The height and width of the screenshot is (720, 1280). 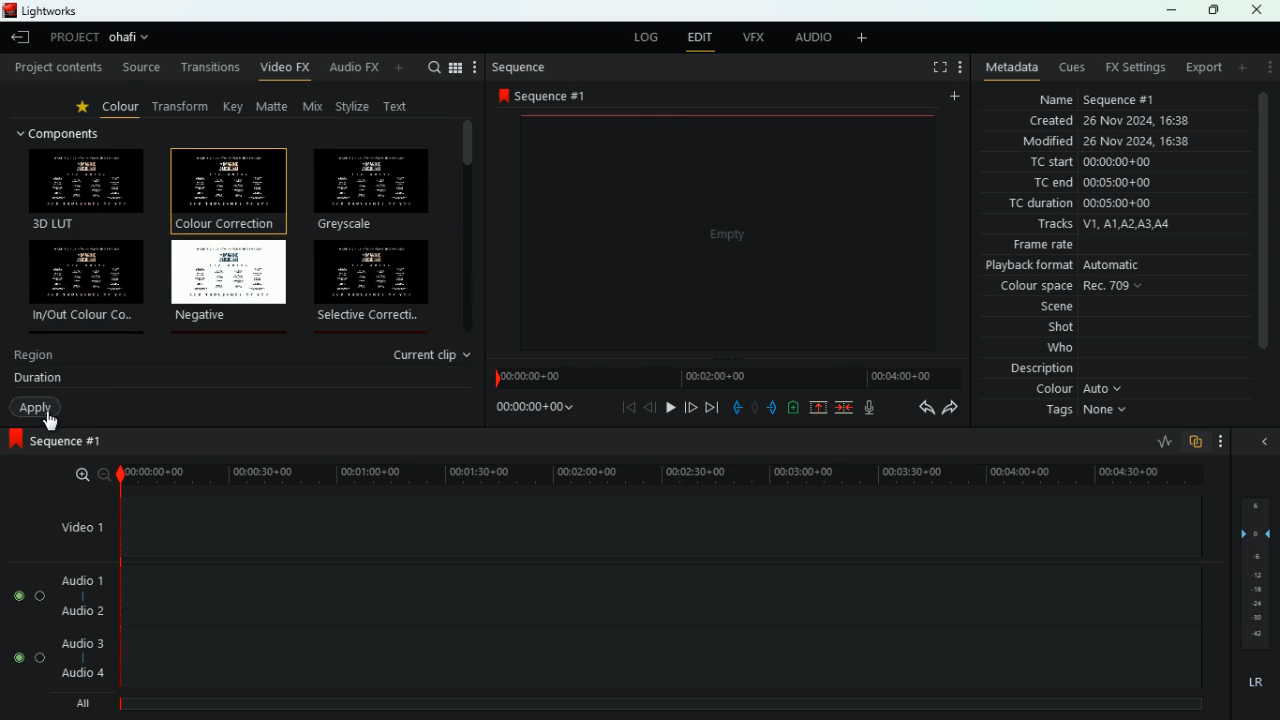 I want to click on tc duration, so click(x=1089, y=205).